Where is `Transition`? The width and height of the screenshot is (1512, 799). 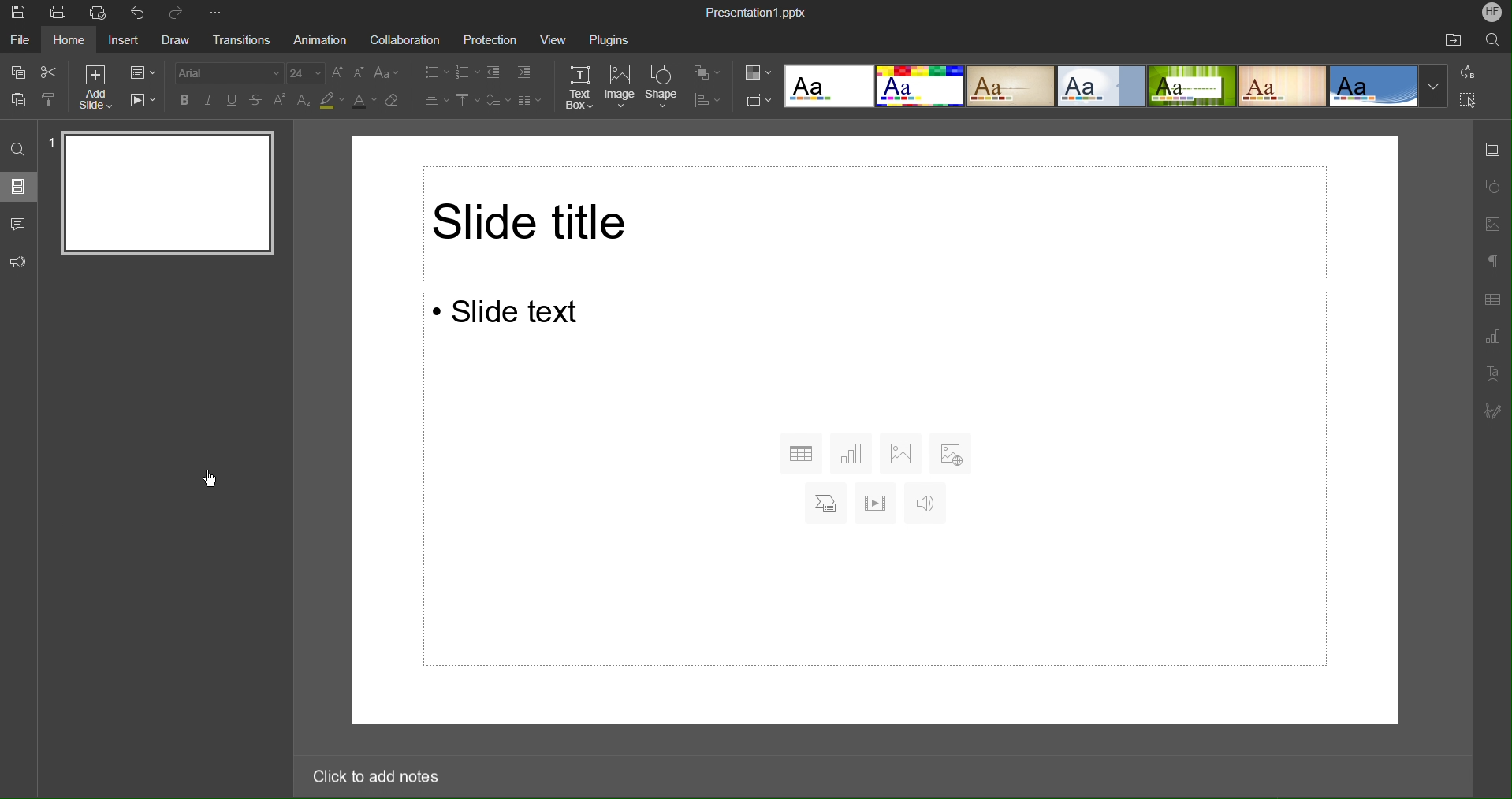 Transition is located at coordinates (237, 41).